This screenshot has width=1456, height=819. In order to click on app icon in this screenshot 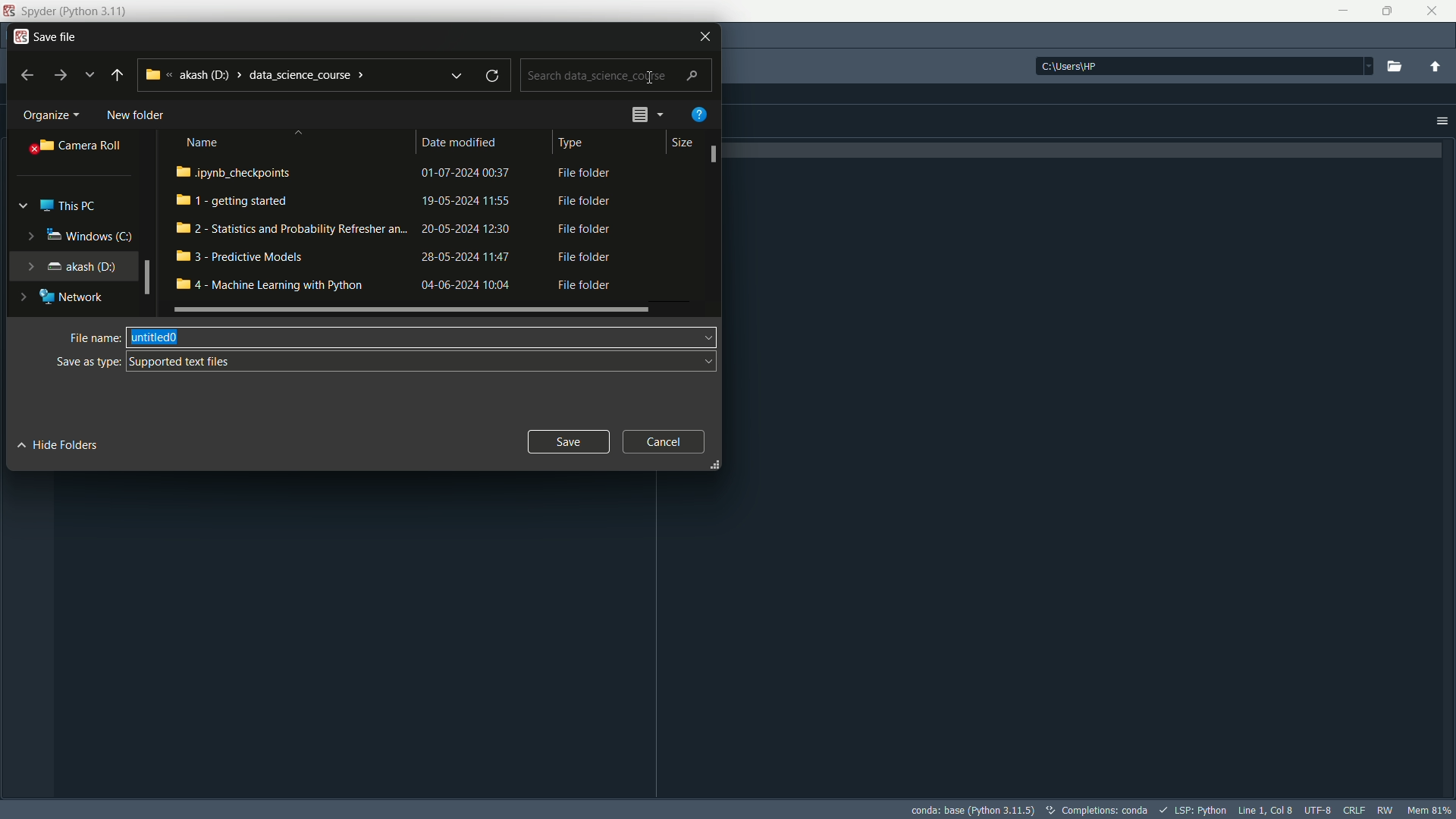, I will do `click(21, 36)`.